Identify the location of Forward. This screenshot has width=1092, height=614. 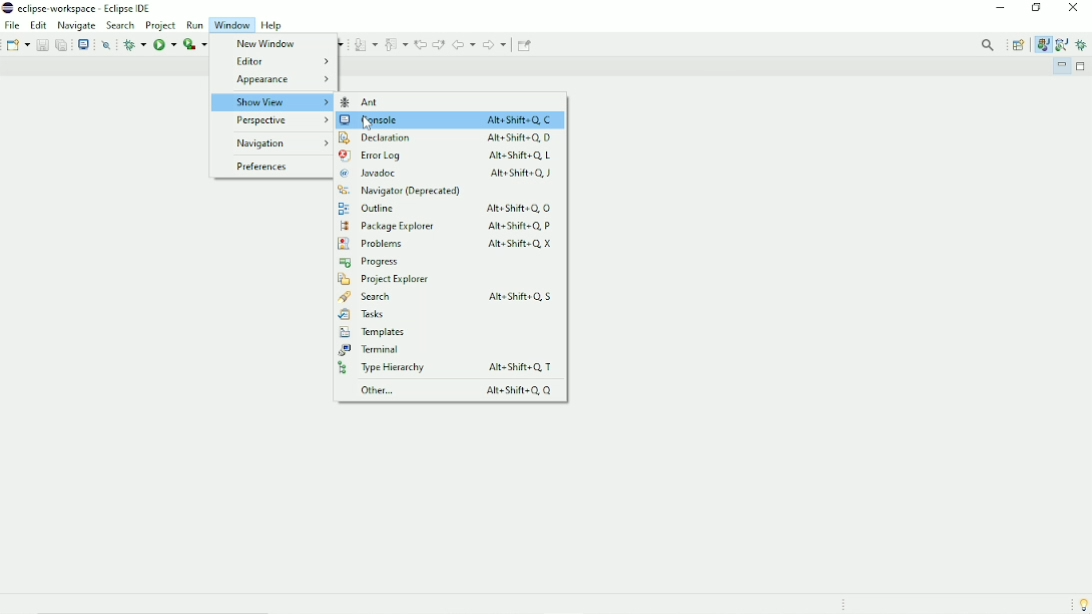
(495, 46).